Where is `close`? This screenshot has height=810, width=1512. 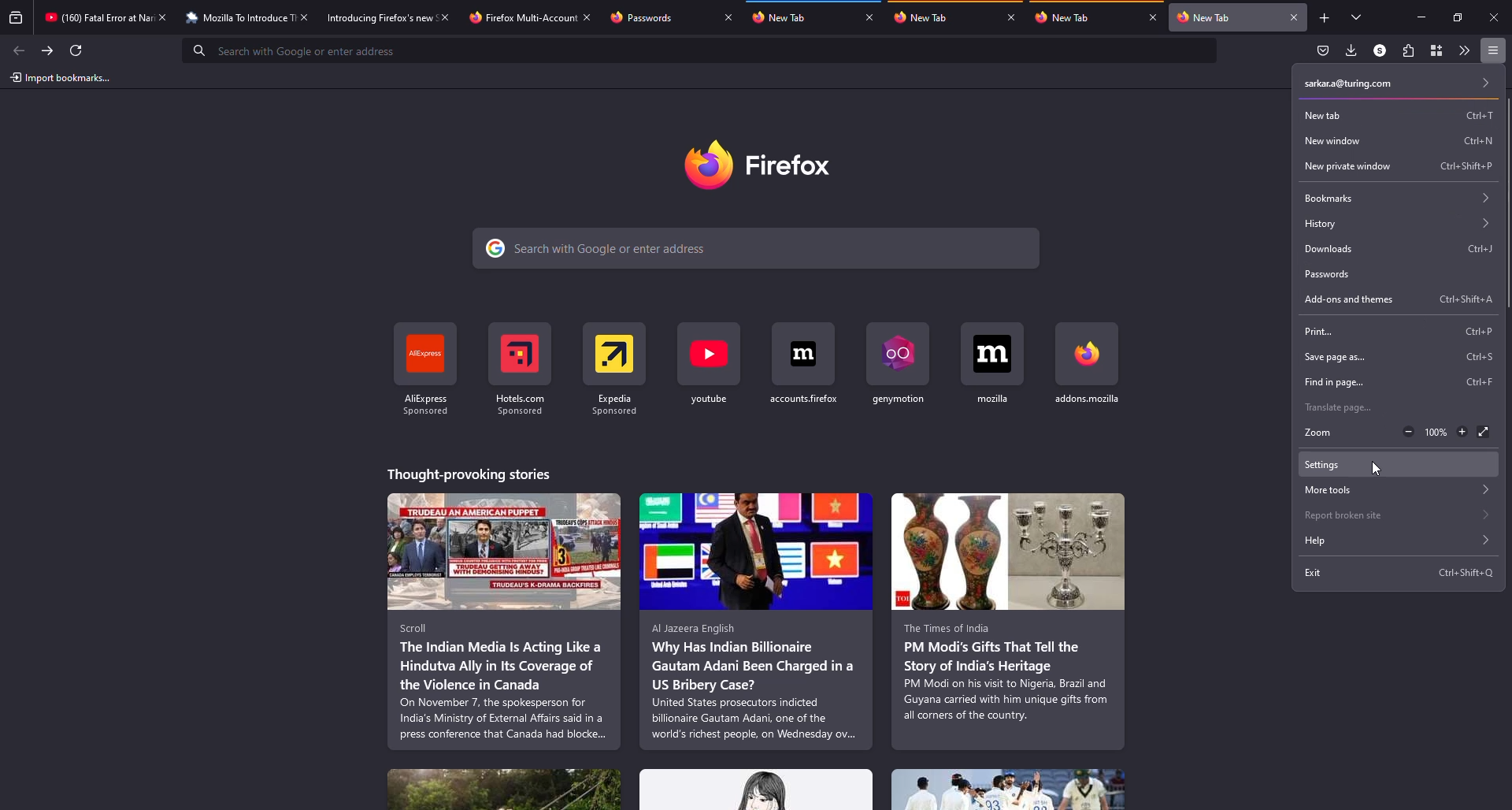 close is located at coordinates (729, 17).